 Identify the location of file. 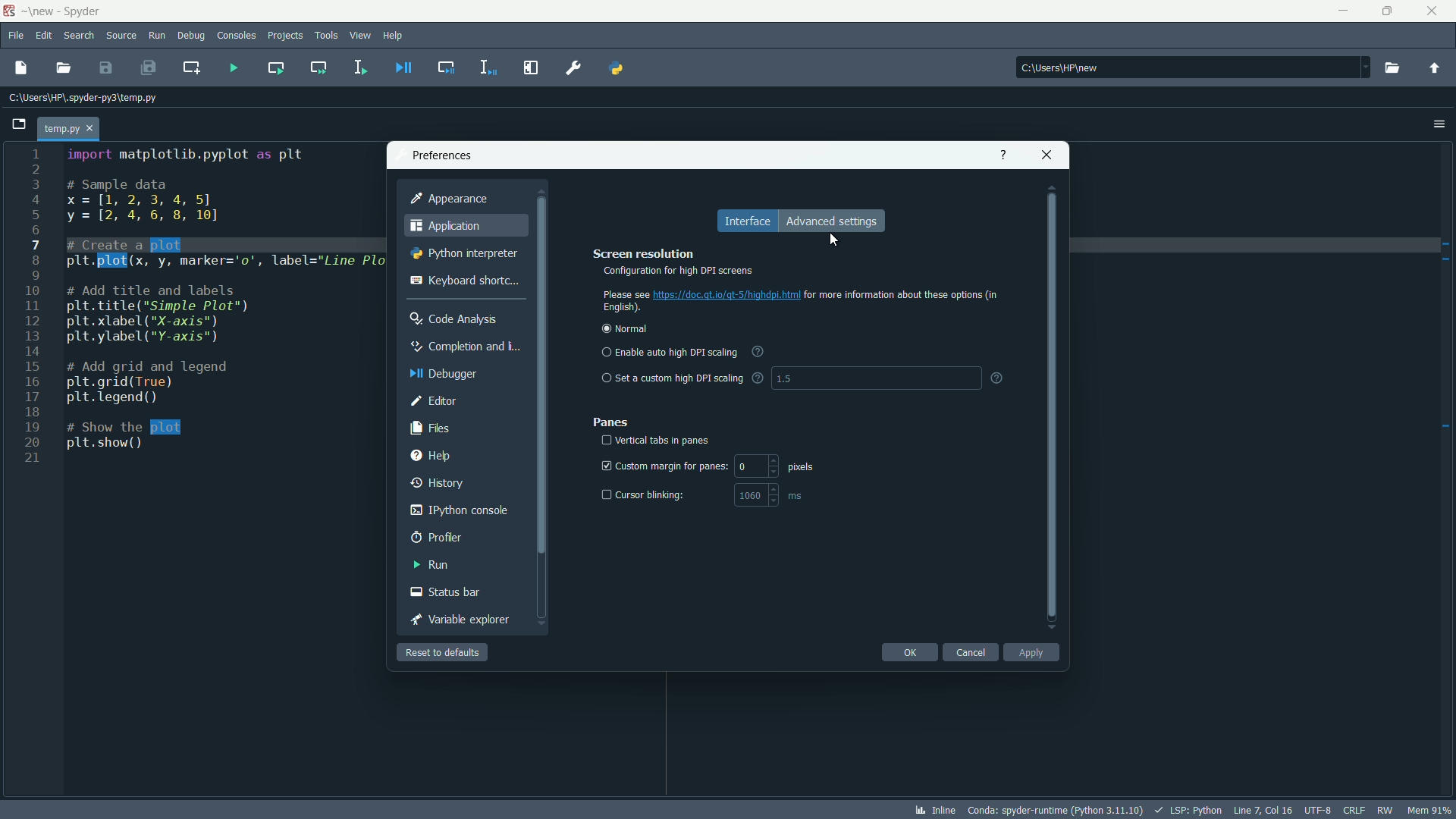
(17, 36).